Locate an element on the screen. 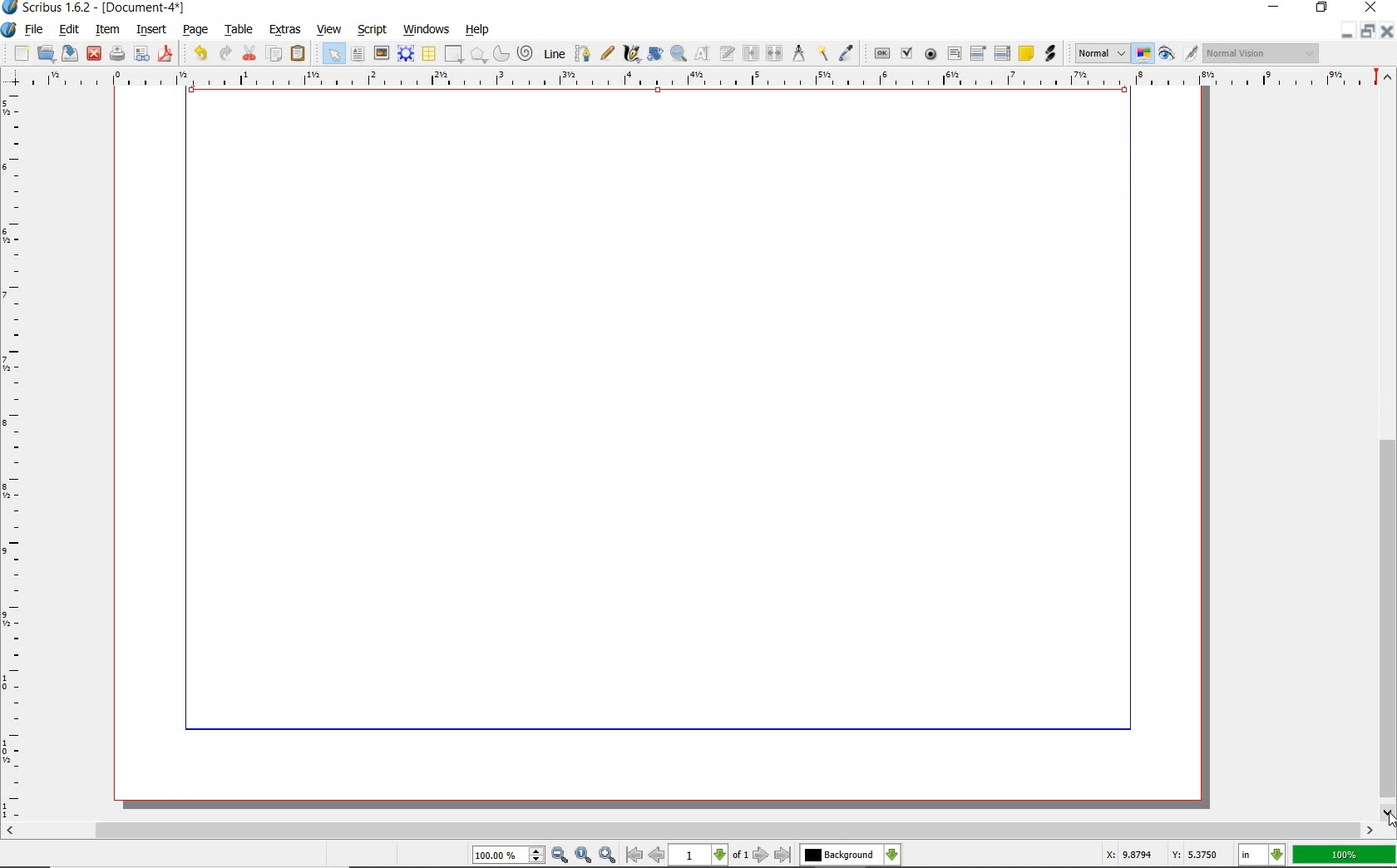 The height and width of the screenshot is (868, 1397). X: 9.8794 Y: 5.3750 is located at coordinates (1159, 855).